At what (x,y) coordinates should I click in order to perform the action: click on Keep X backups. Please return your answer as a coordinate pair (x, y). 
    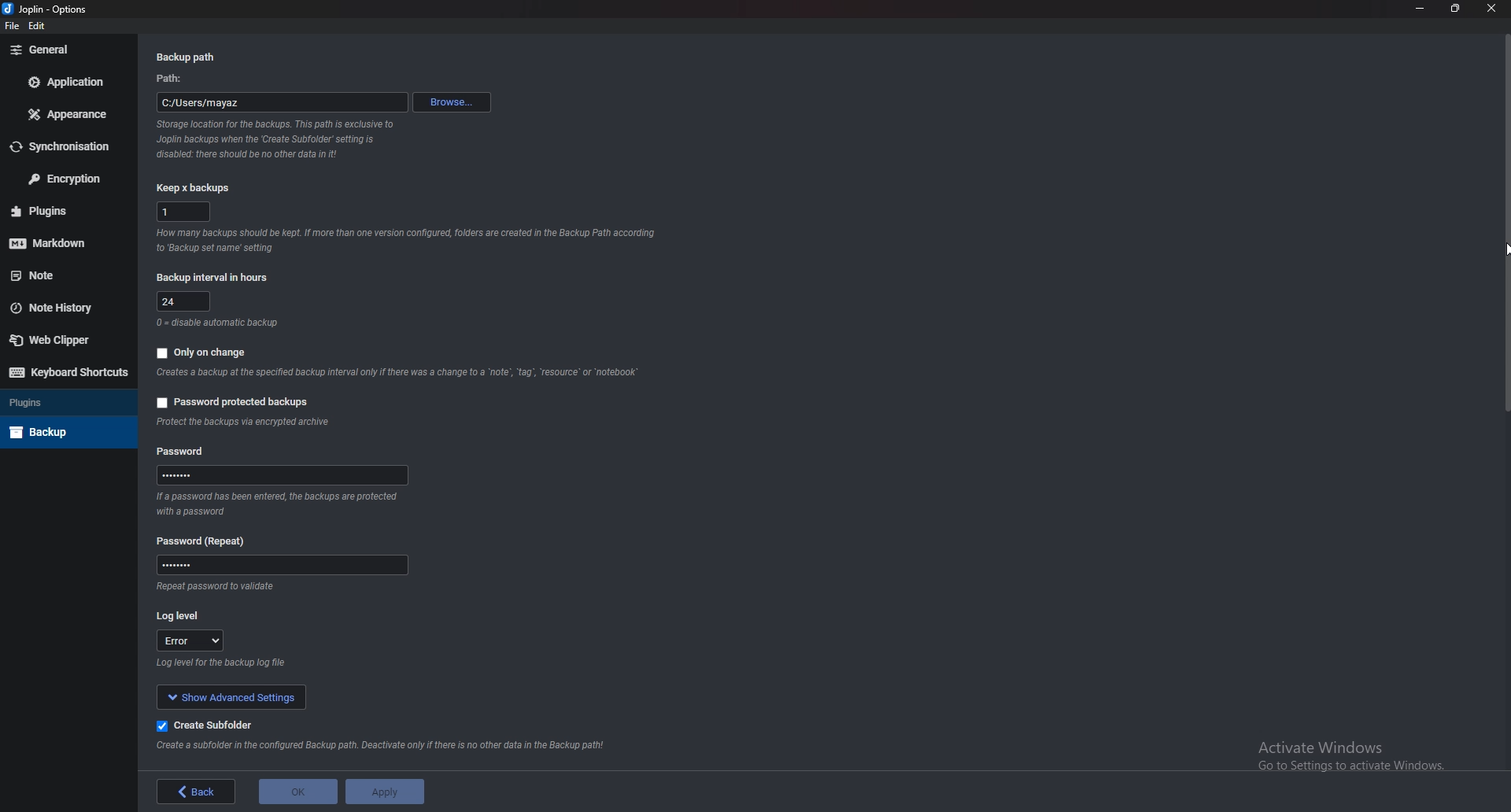
    Looking at the image, I should click on (191, 190).